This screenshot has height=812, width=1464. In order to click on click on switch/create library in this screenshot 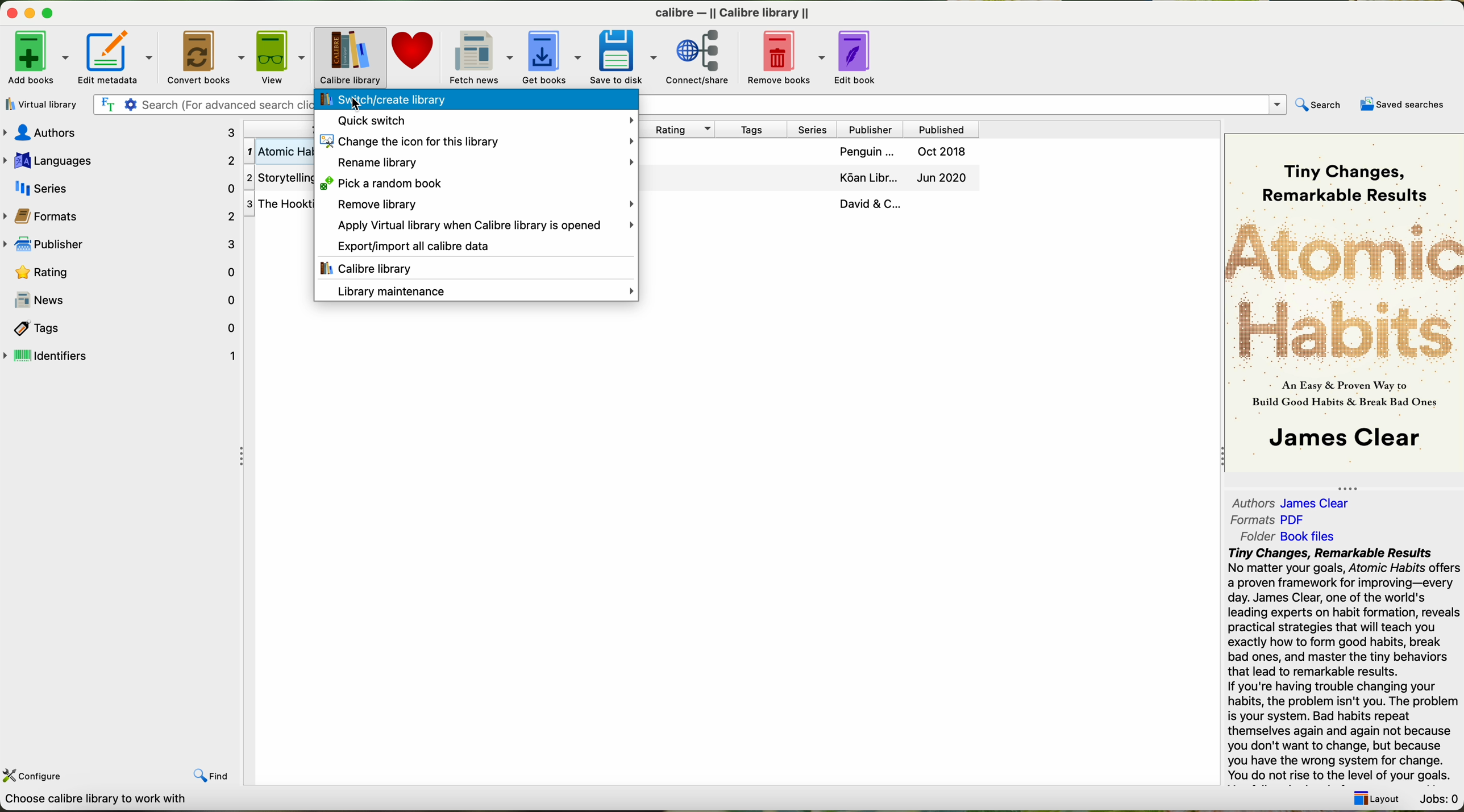, I will do `click(476, 100)`.